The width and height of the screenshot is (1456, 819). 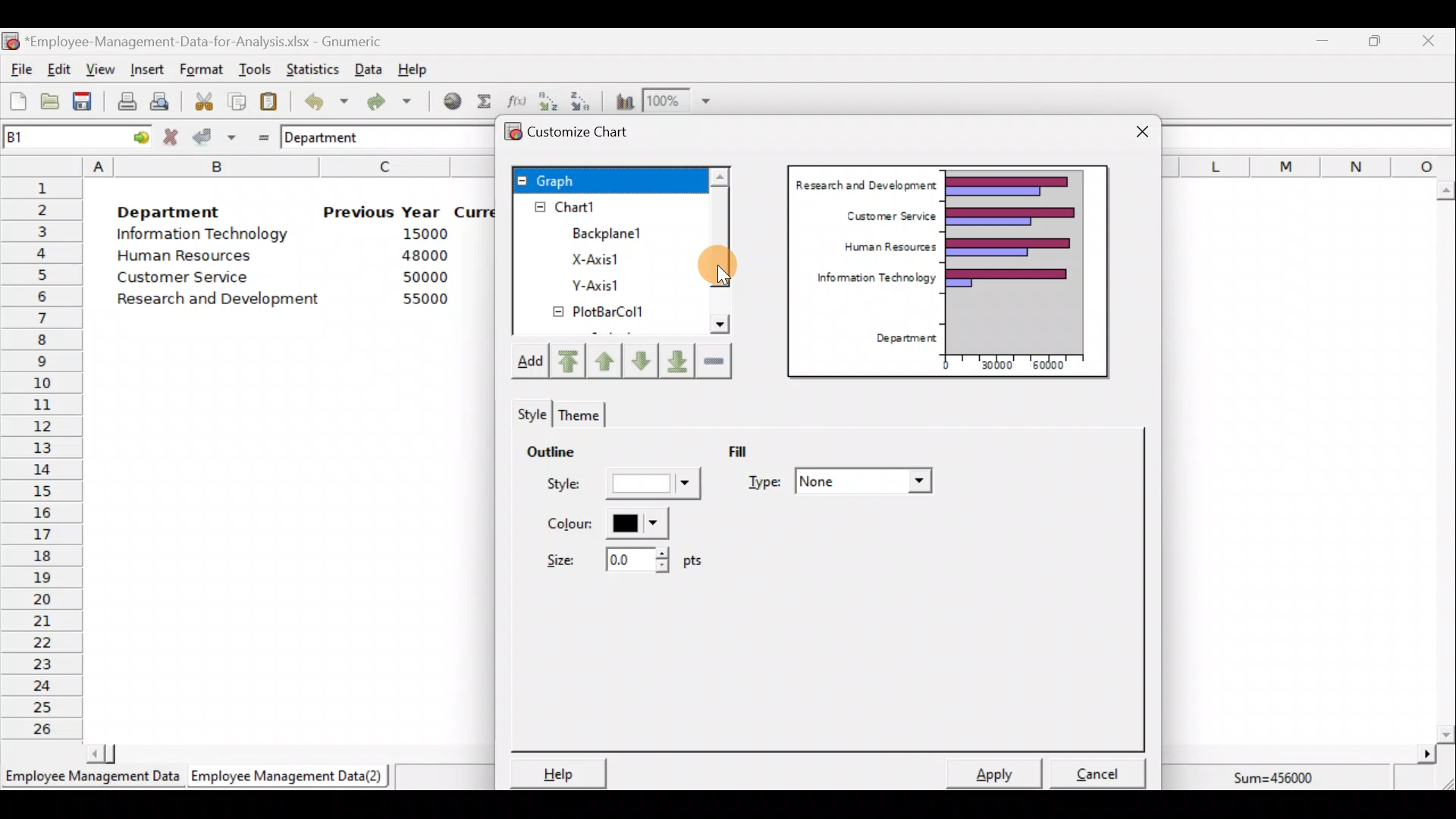 I want to click on 30000, so click(x=996, y=363).